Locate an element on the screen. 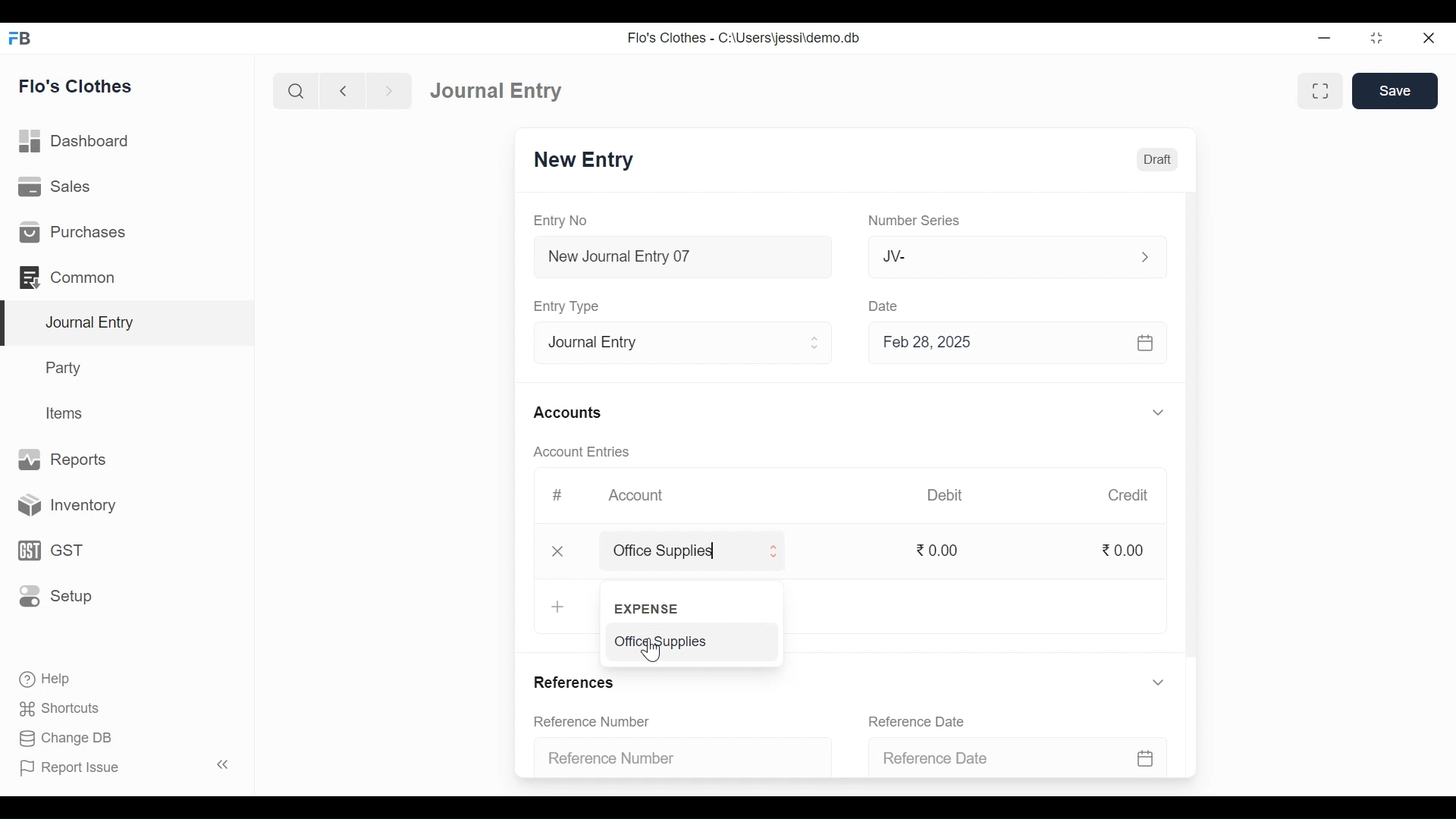  Close is located at coordinates (1429, 39).